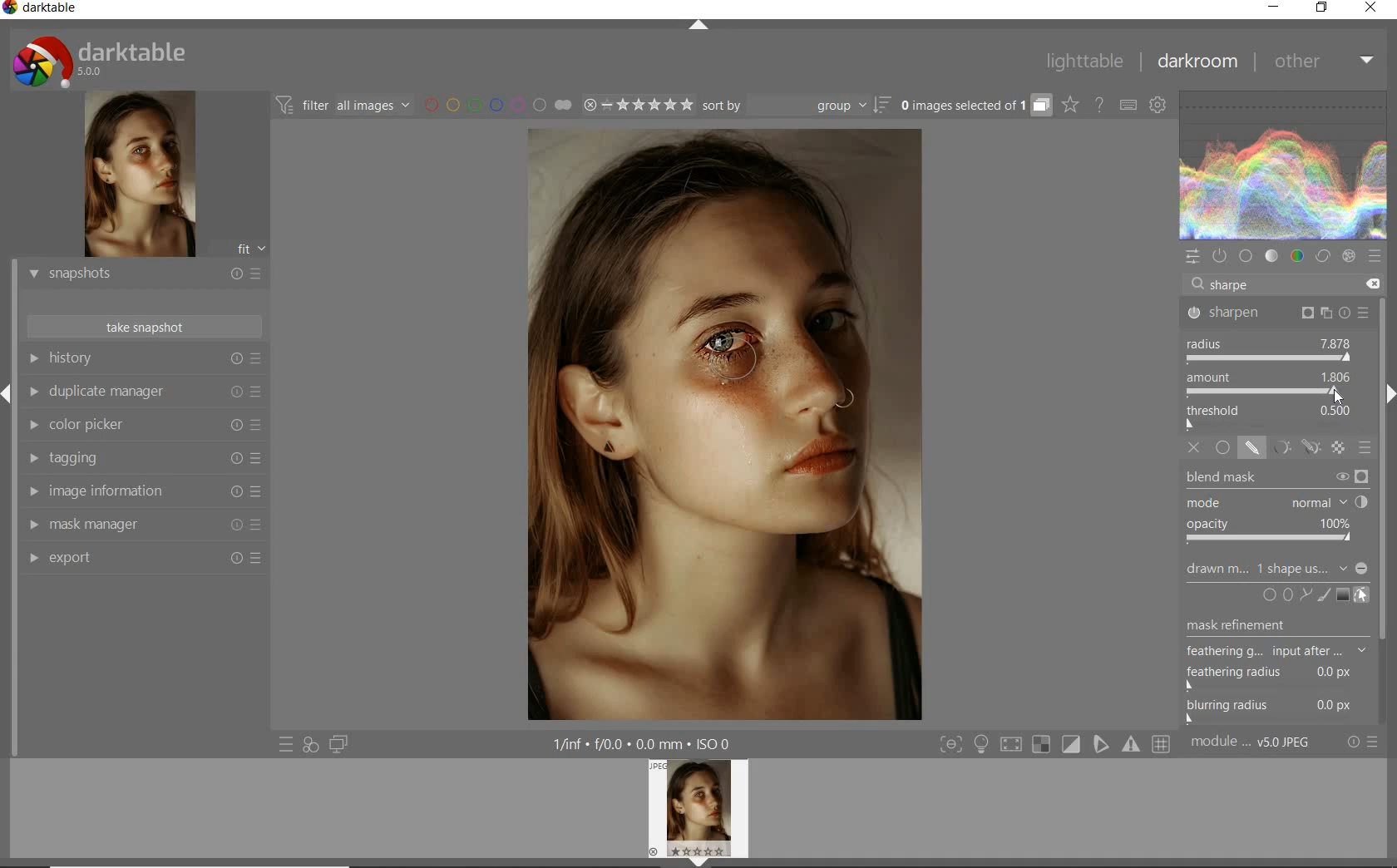 This screenshot has width=1397, height=868. Describe the element at coordinates (1292, 453) in the screenshot. I see `MASK OPTIONS` at that location.